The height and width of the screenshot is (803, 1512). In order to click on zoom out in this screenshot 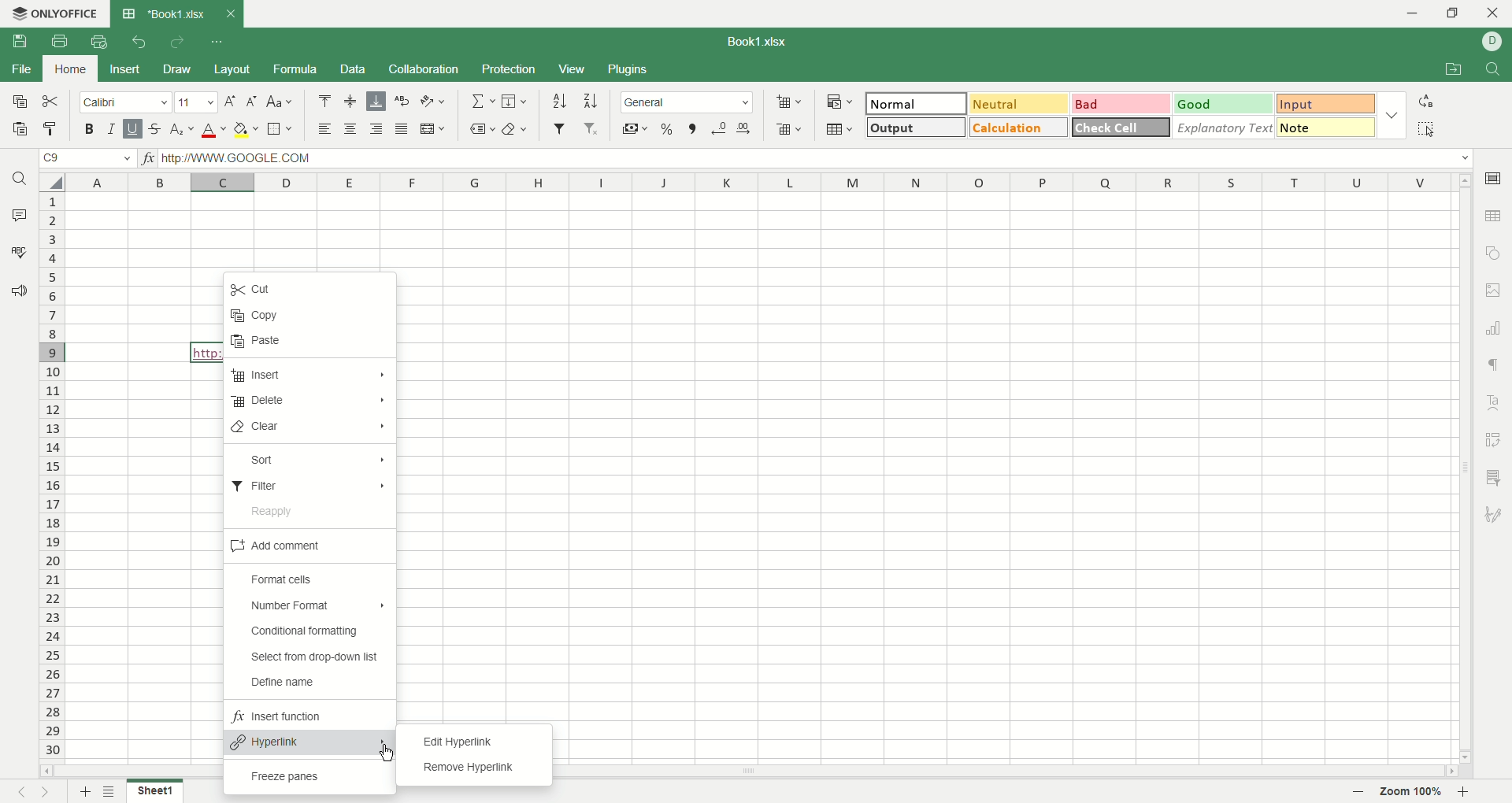, I will do `click(1359, 792)`.